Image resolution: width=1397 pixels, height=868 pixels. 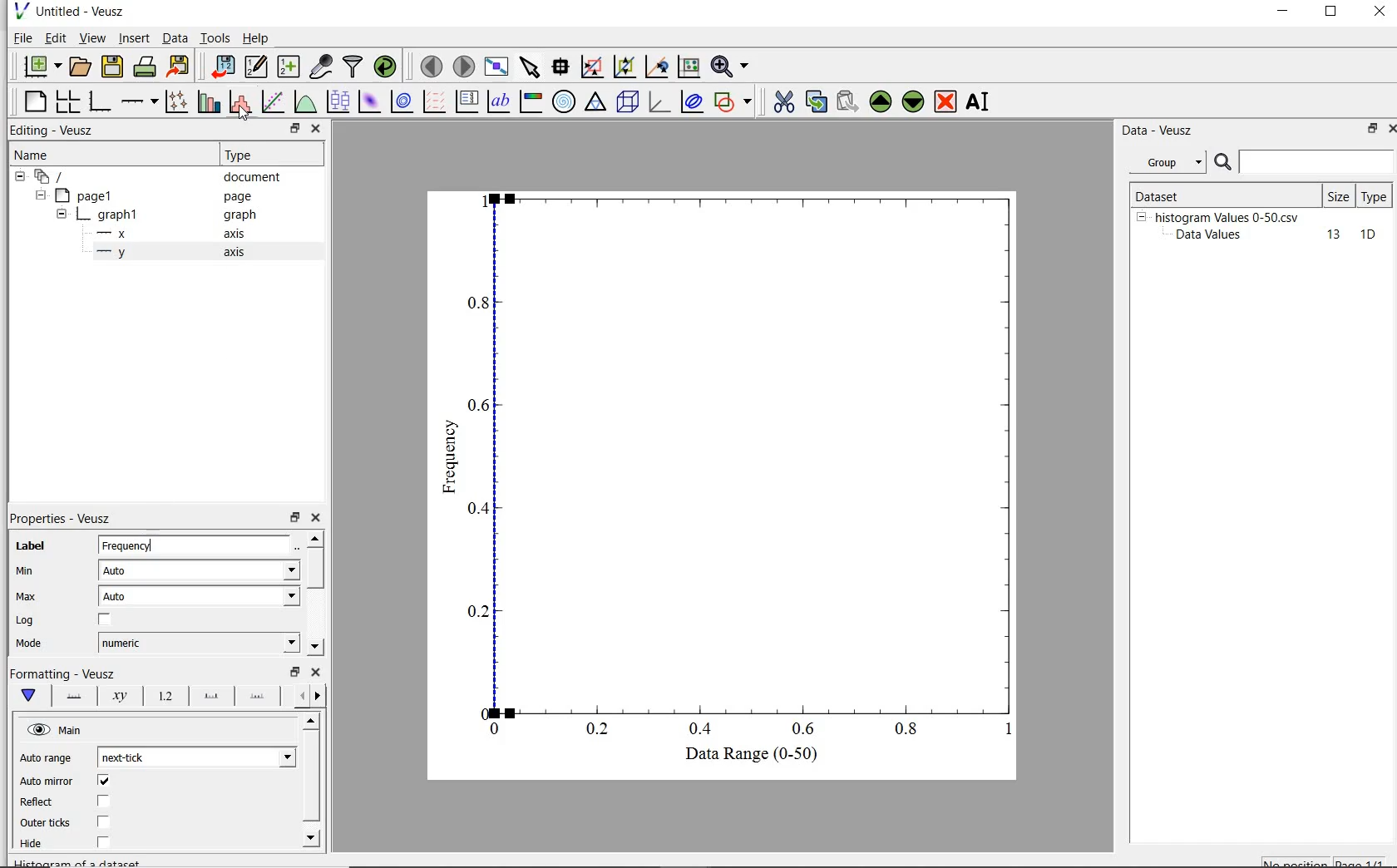 I want to click on type, so click(x=1375, y=195).